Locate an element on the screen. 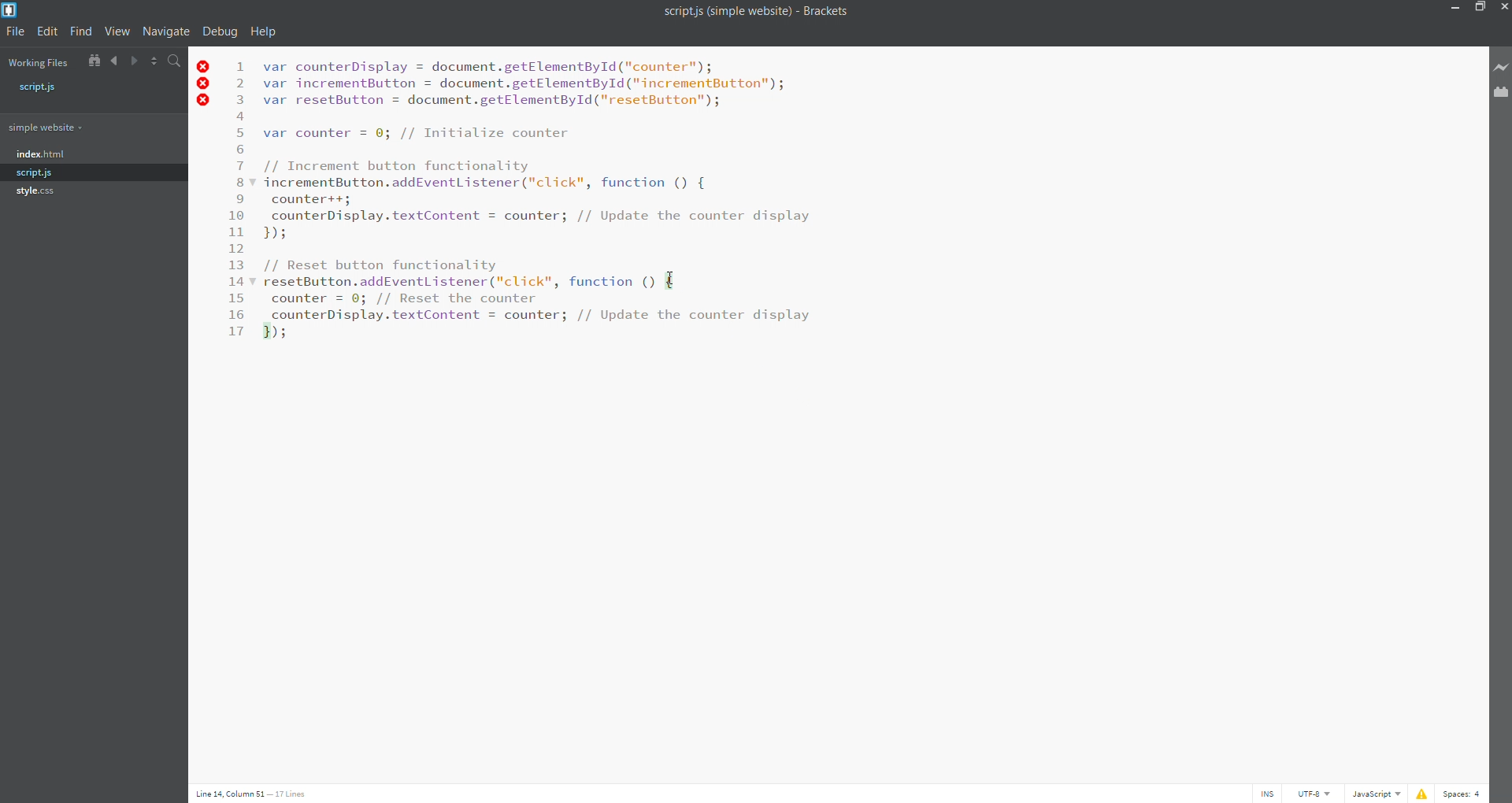 The height and width of the screenshot is (803, 1512). find is located at coordinates (80, 31).